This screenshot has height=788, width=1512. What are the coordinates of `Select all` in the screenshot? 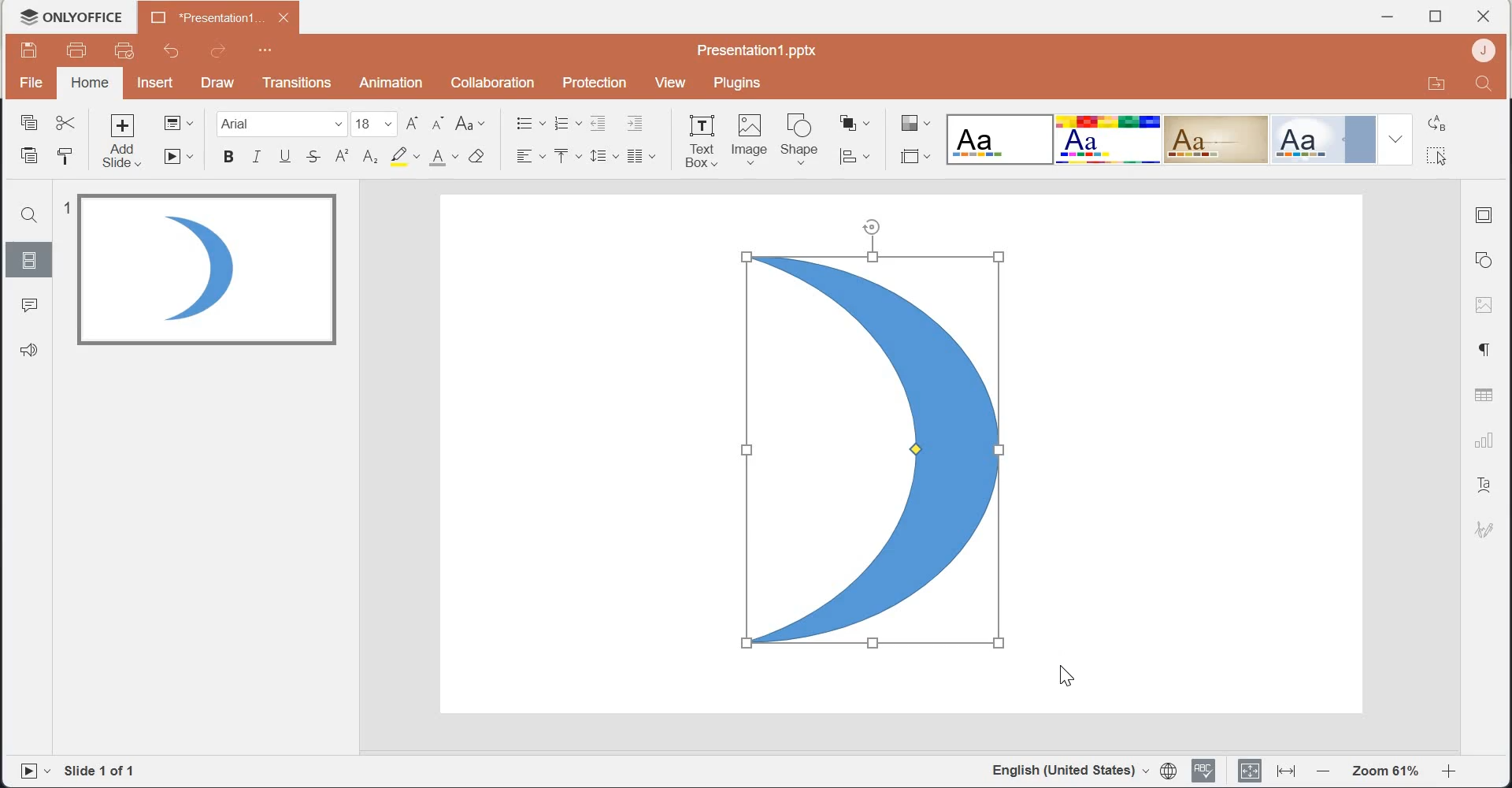 It's located at (1444, 153).